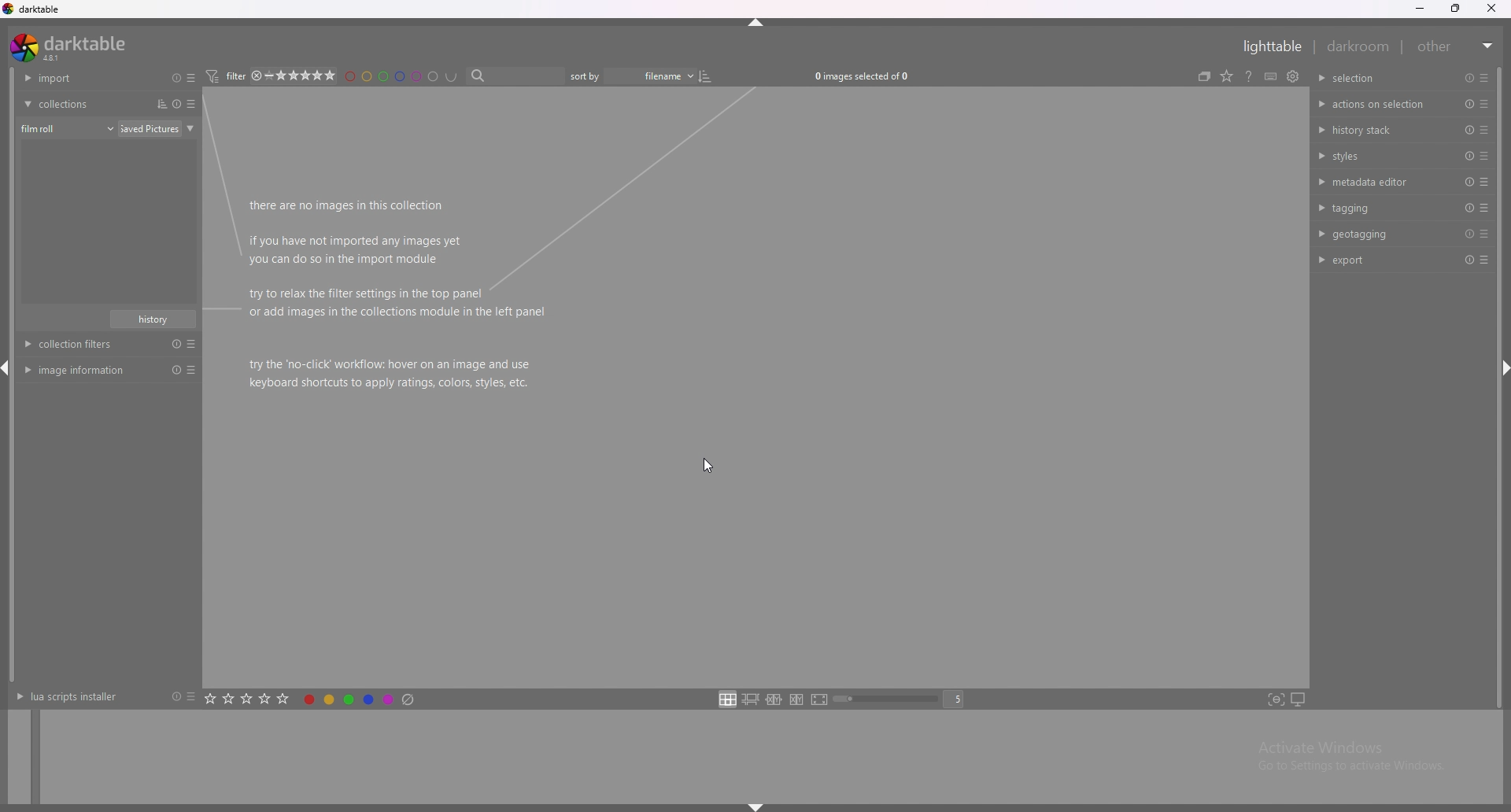 Image resolution: width=1511 pixels, height=812 pixels. I want to click on photo name, so click(109, 148).